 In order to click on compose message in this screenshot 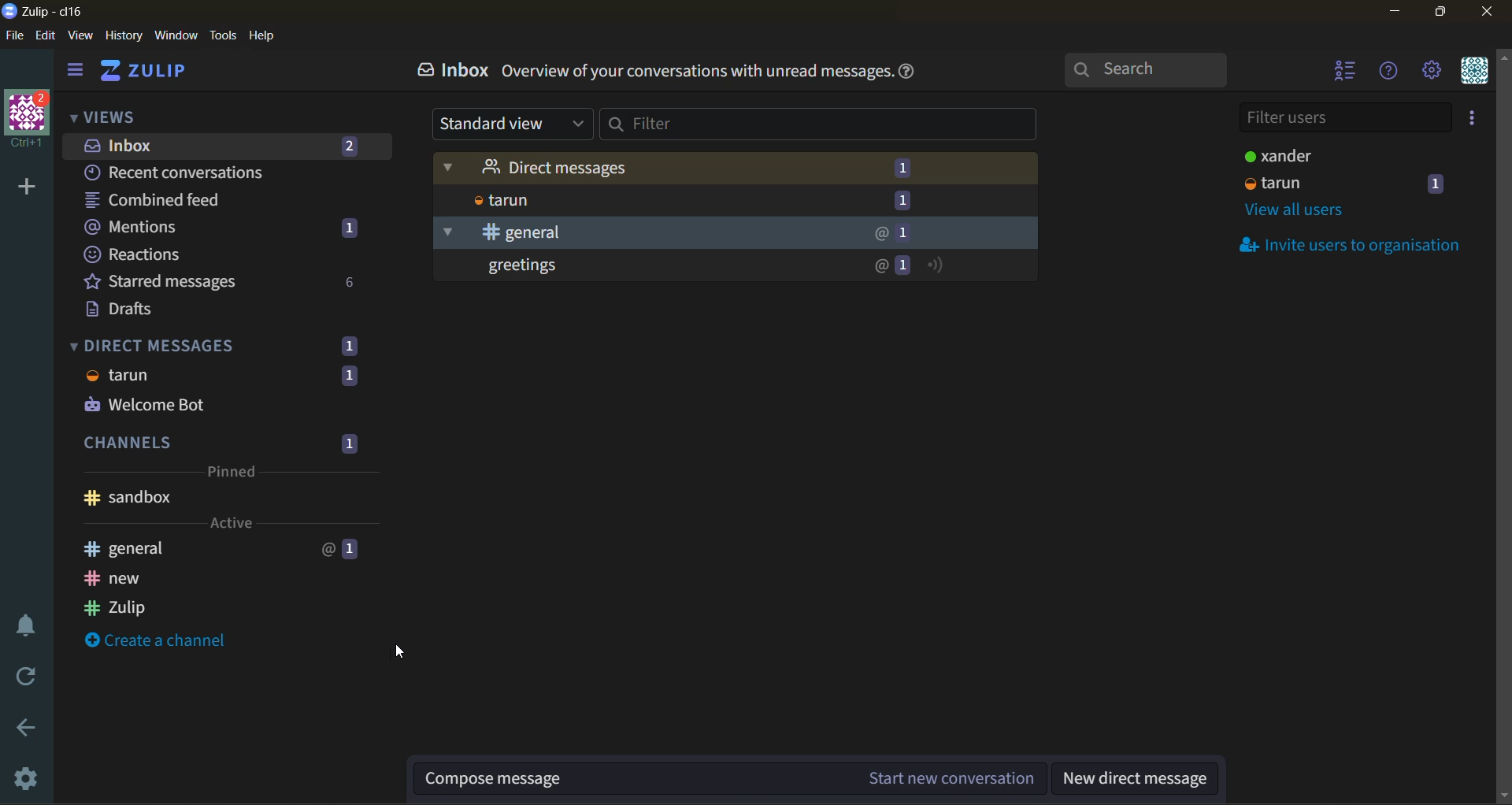, I will do `click(735, 777)`.